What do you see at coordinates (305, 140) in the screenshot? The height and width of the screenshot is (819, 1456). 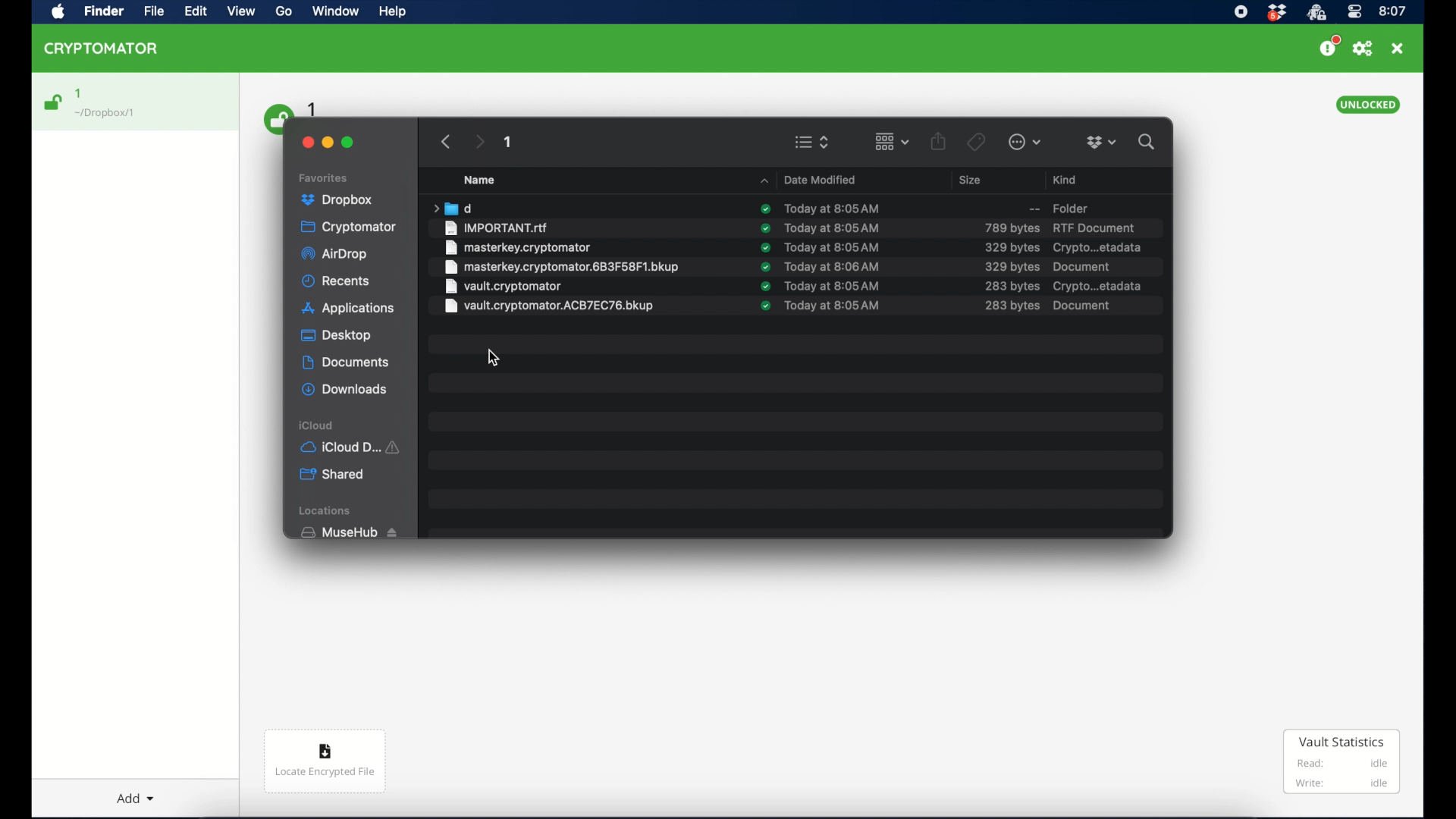 I see `close` at bounding box center [305, 140].